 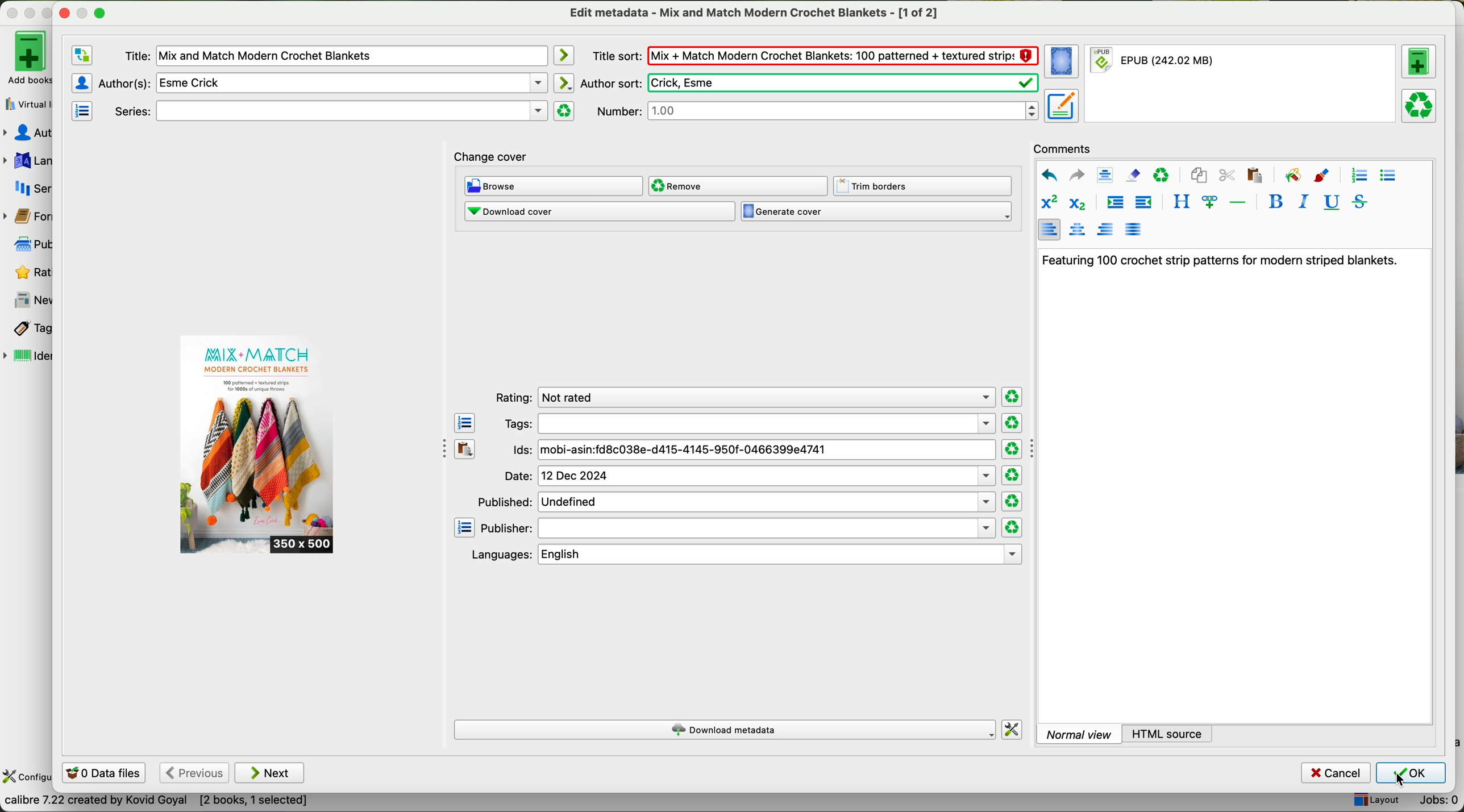 What do you see at coordinates (99, 12) in the screenshot?
I see `maximize windows` at bounding box center [99, 12].